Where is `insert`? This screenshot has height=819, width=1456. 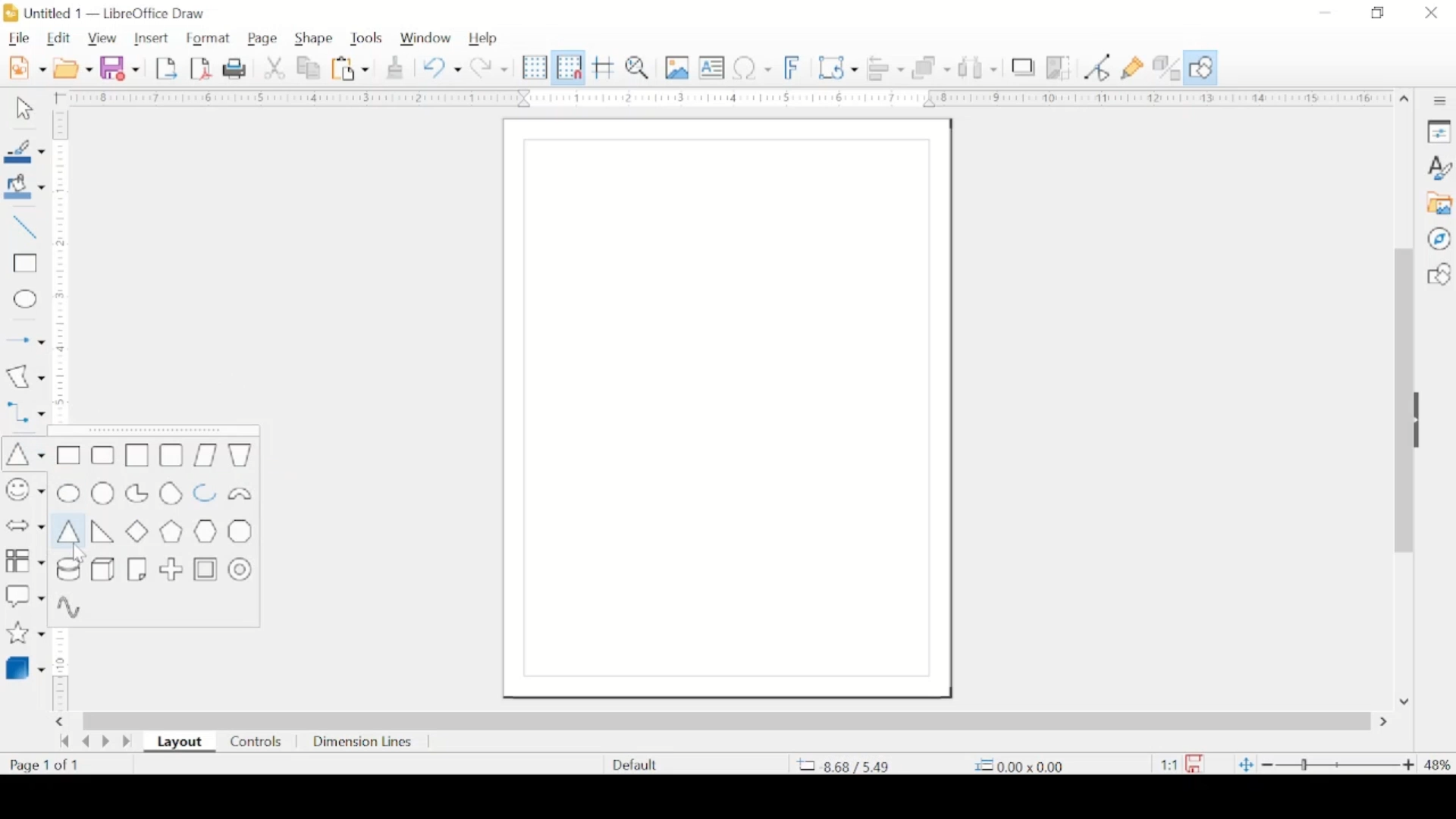 insert is located at coordinates (153, 39).